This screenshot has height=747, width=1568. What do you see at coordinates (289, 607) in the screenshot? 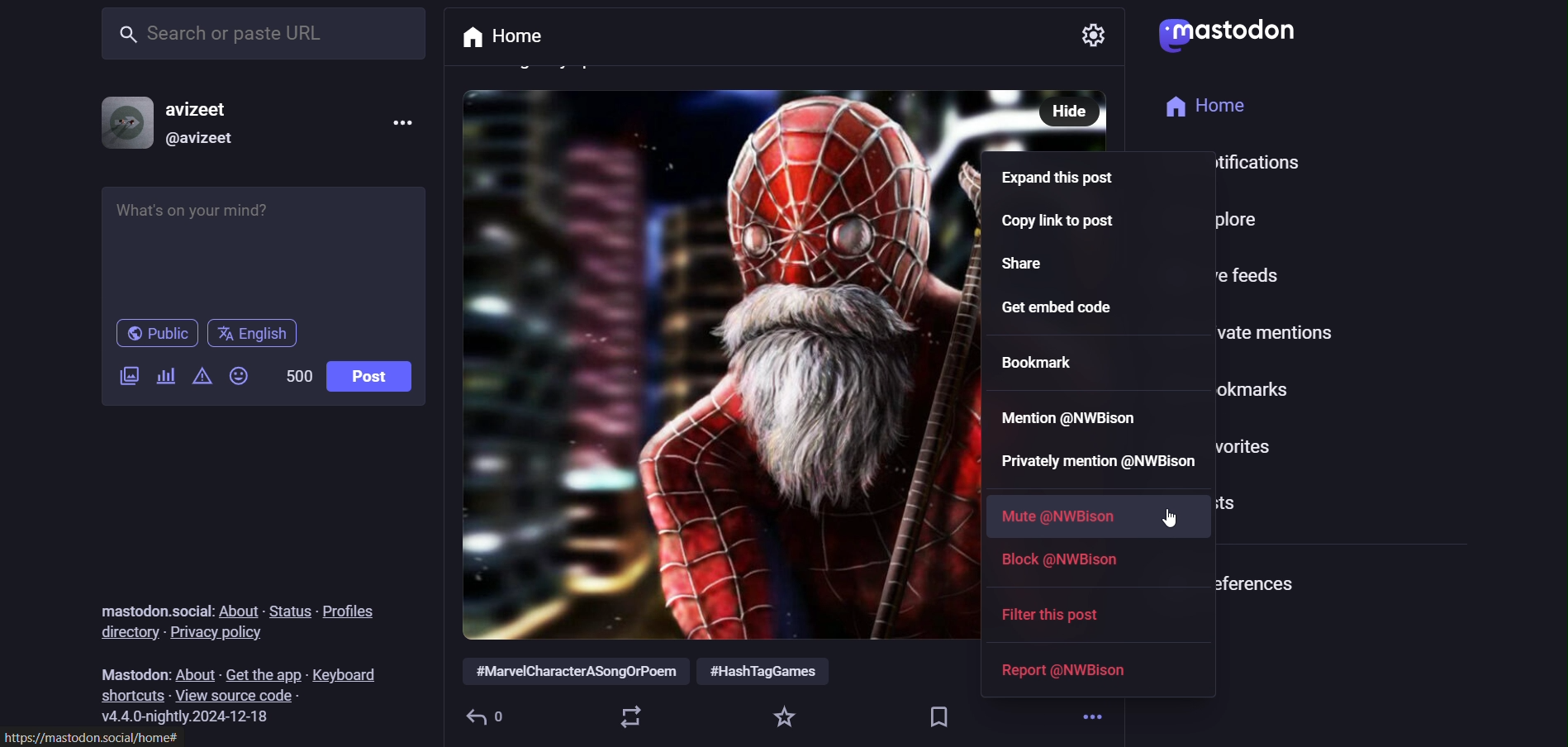
I see `status` at bounding box center [289, 607].